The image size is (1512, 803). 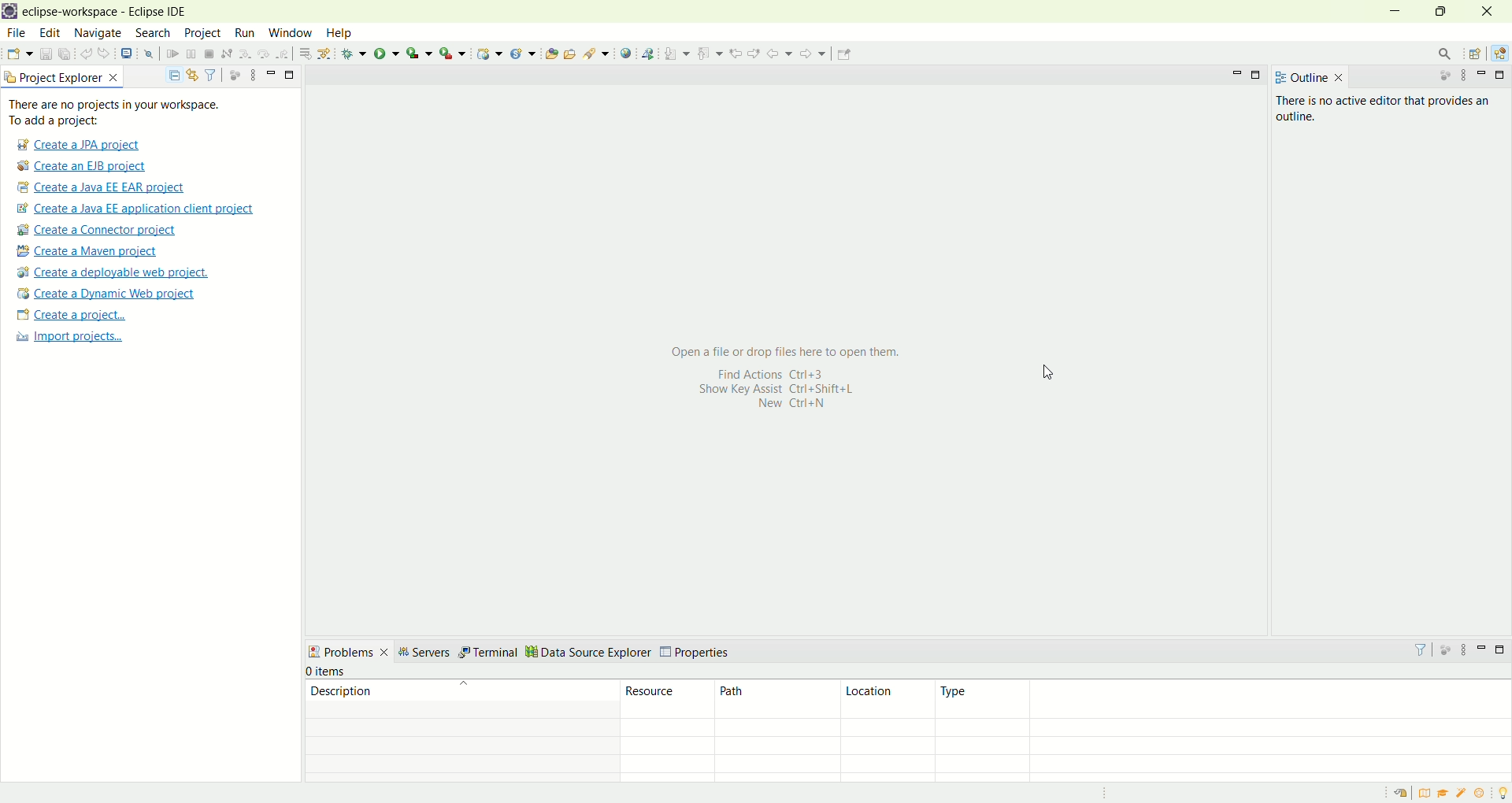 What do you see at coordinates (550, 54) in the screenshot?
I see `open type` at bounding box center [550, 54].